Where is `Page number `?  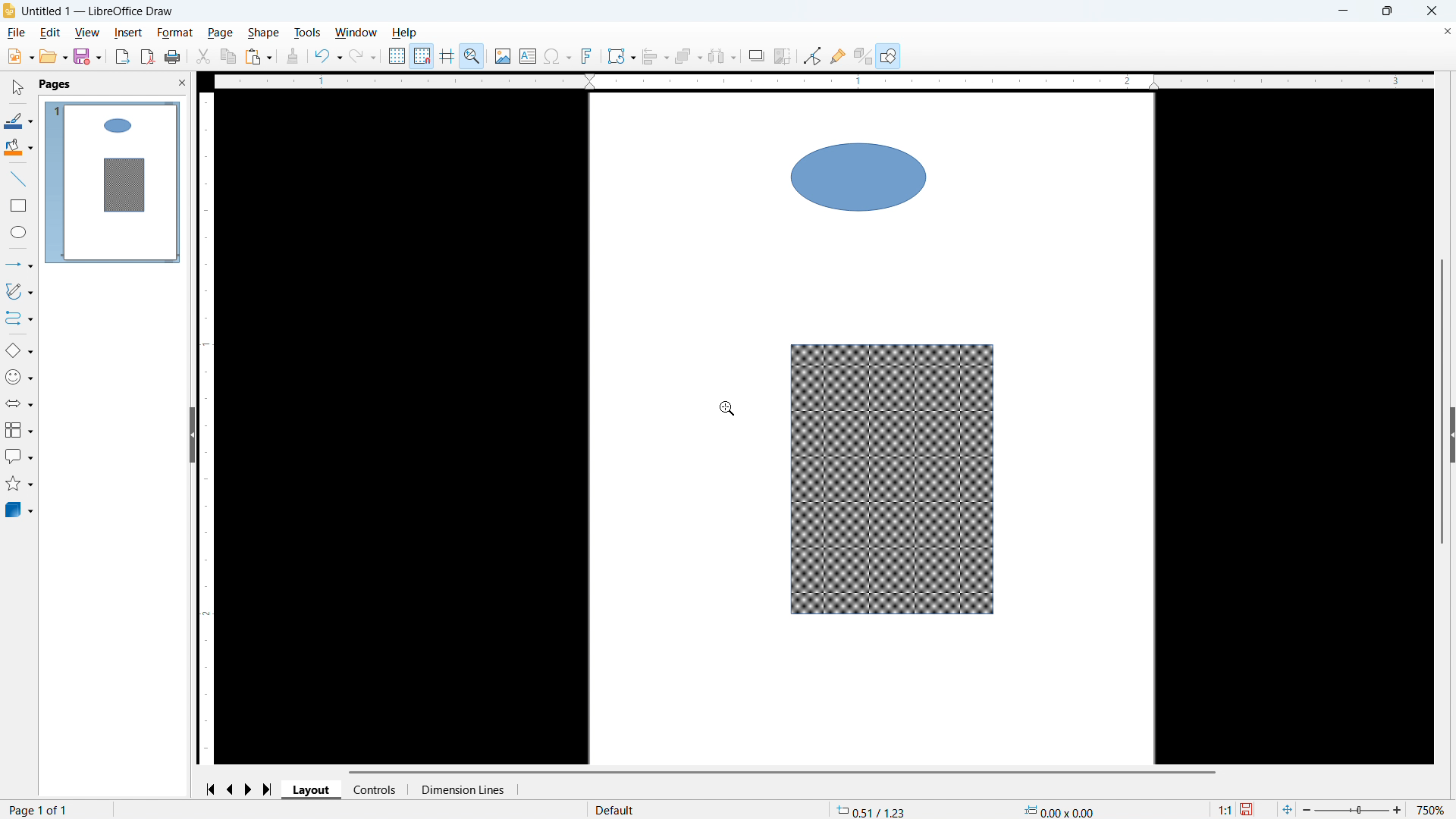 Page number  is located at coordinates (40, 811).